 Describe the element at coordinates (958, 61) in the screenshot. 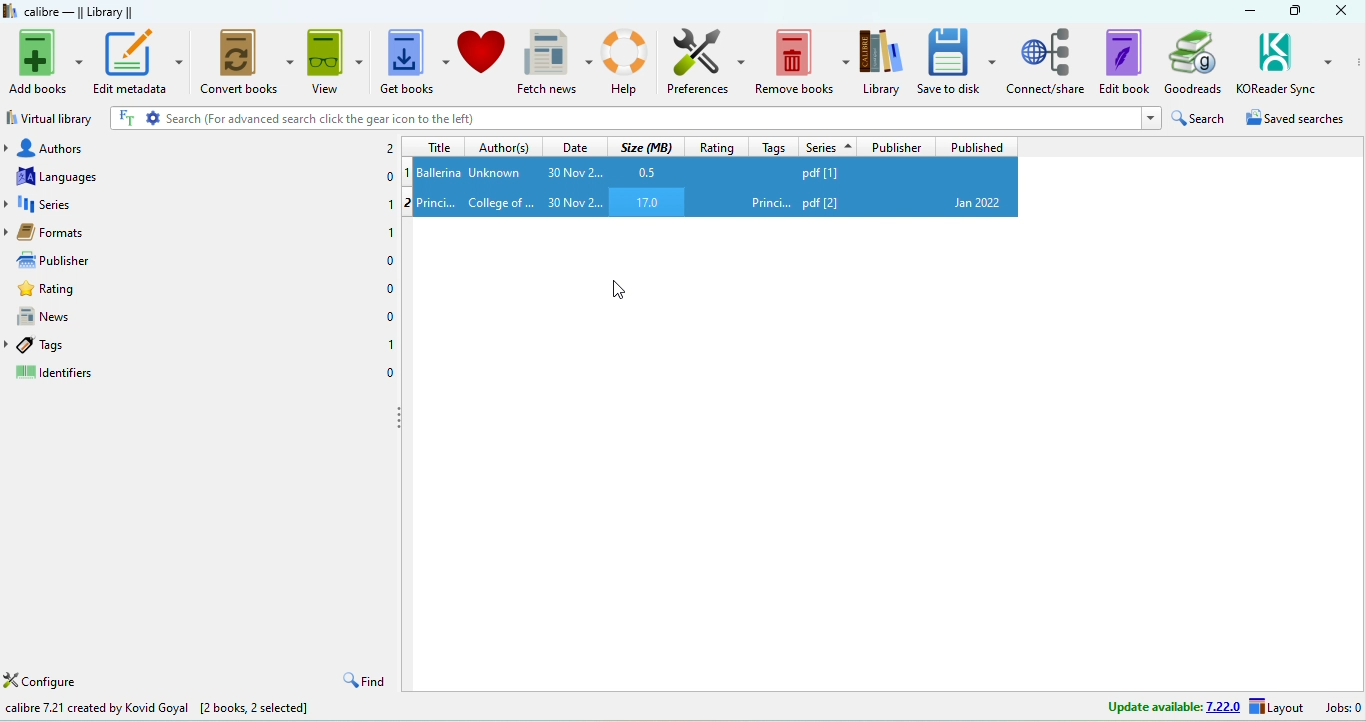

I see `Save to disk` at that location.